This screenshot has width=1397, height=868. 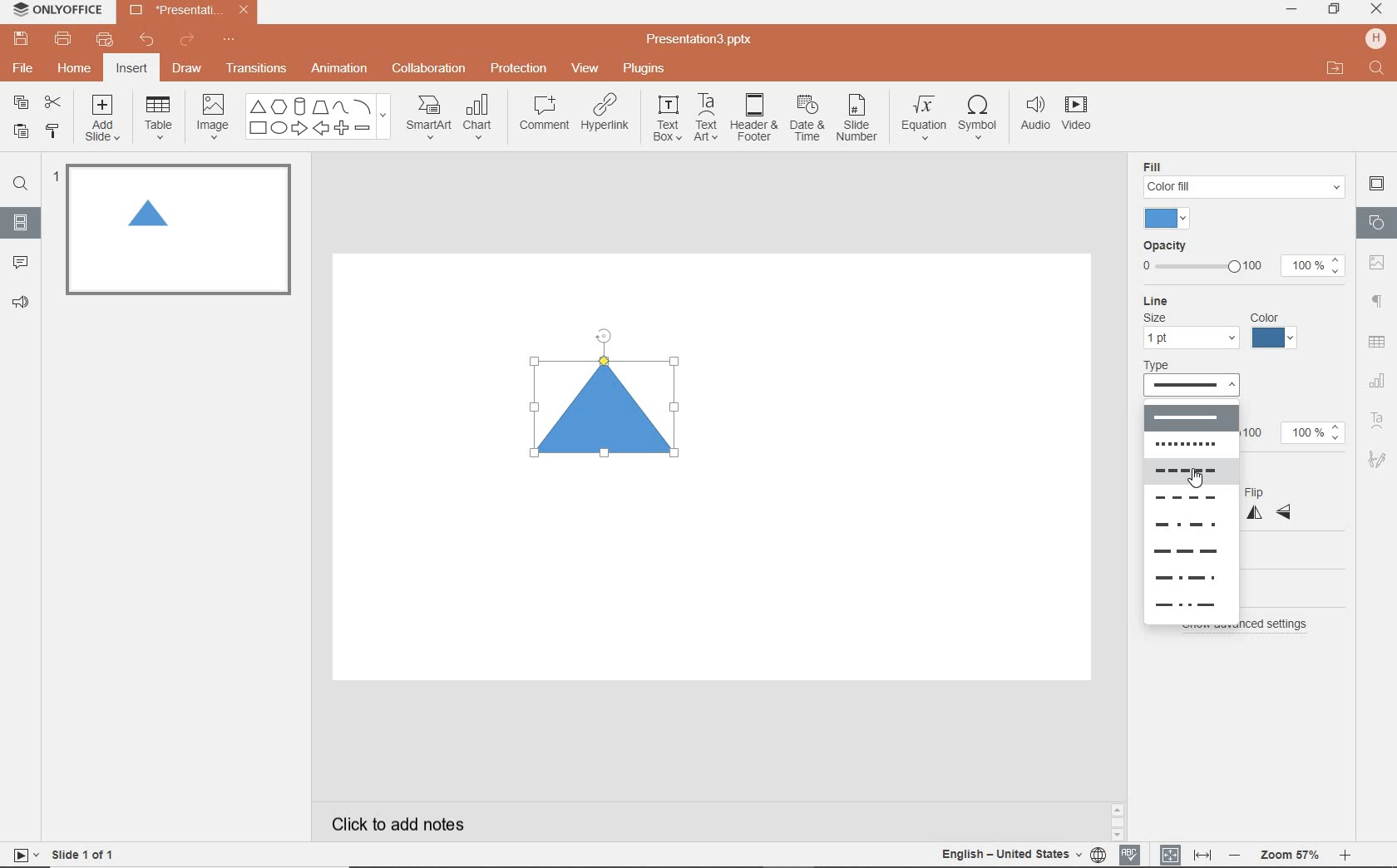 I want to click on DATE & TIME, so click(x=807, y=119).